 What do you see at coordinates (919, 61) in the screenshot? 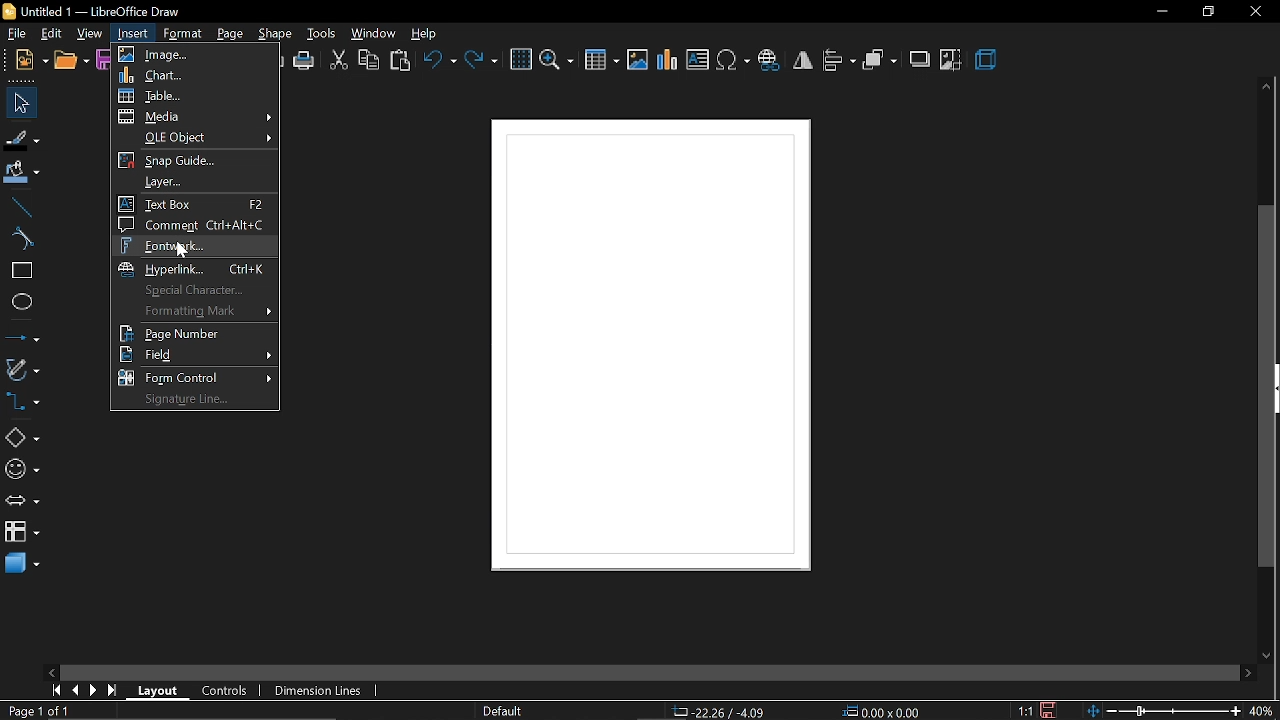
I see `shadow` at bounding box center [919, 61].